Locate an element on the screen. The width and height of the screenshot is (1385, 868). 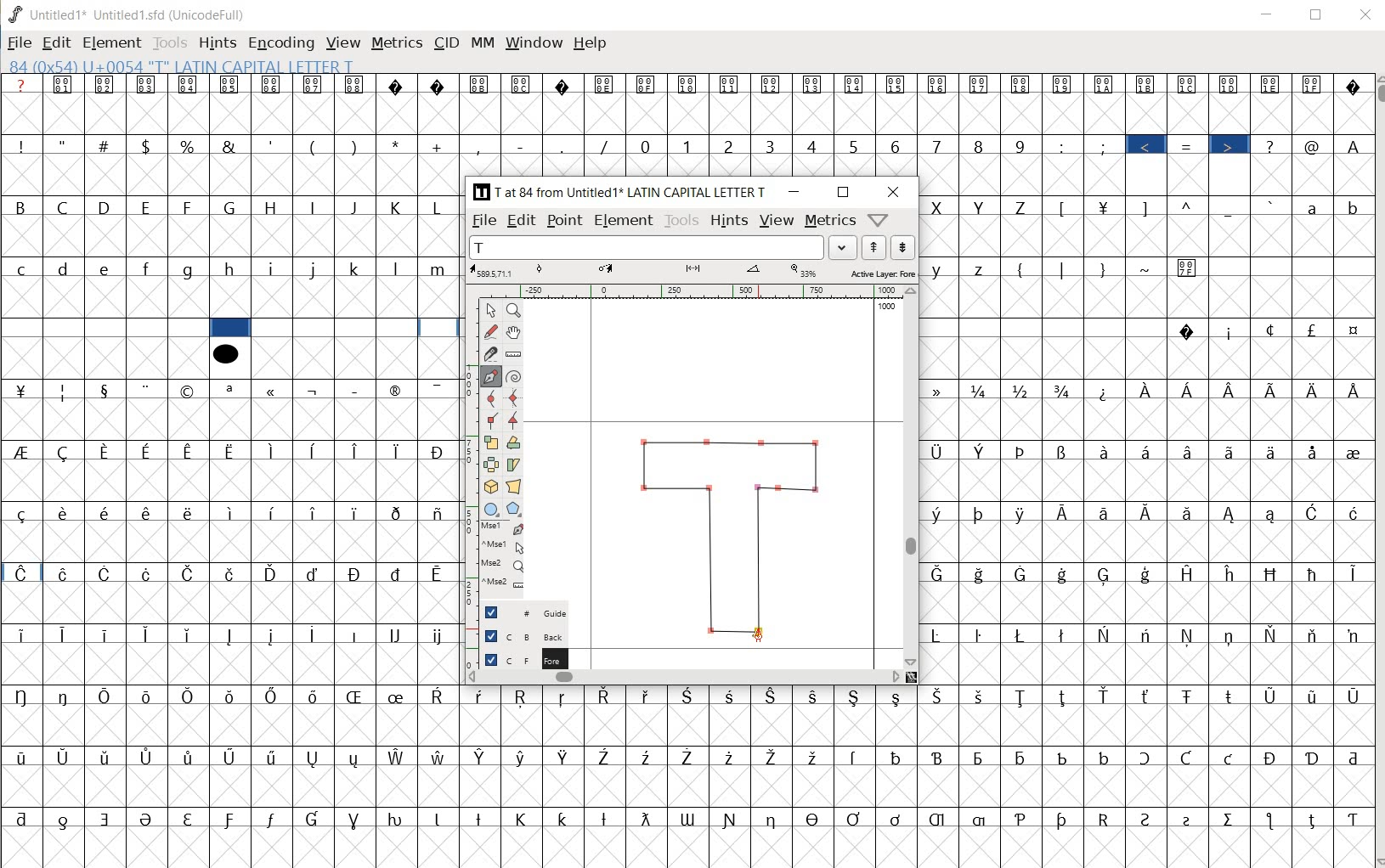
Symbol is located at coordinates (1149, 84).